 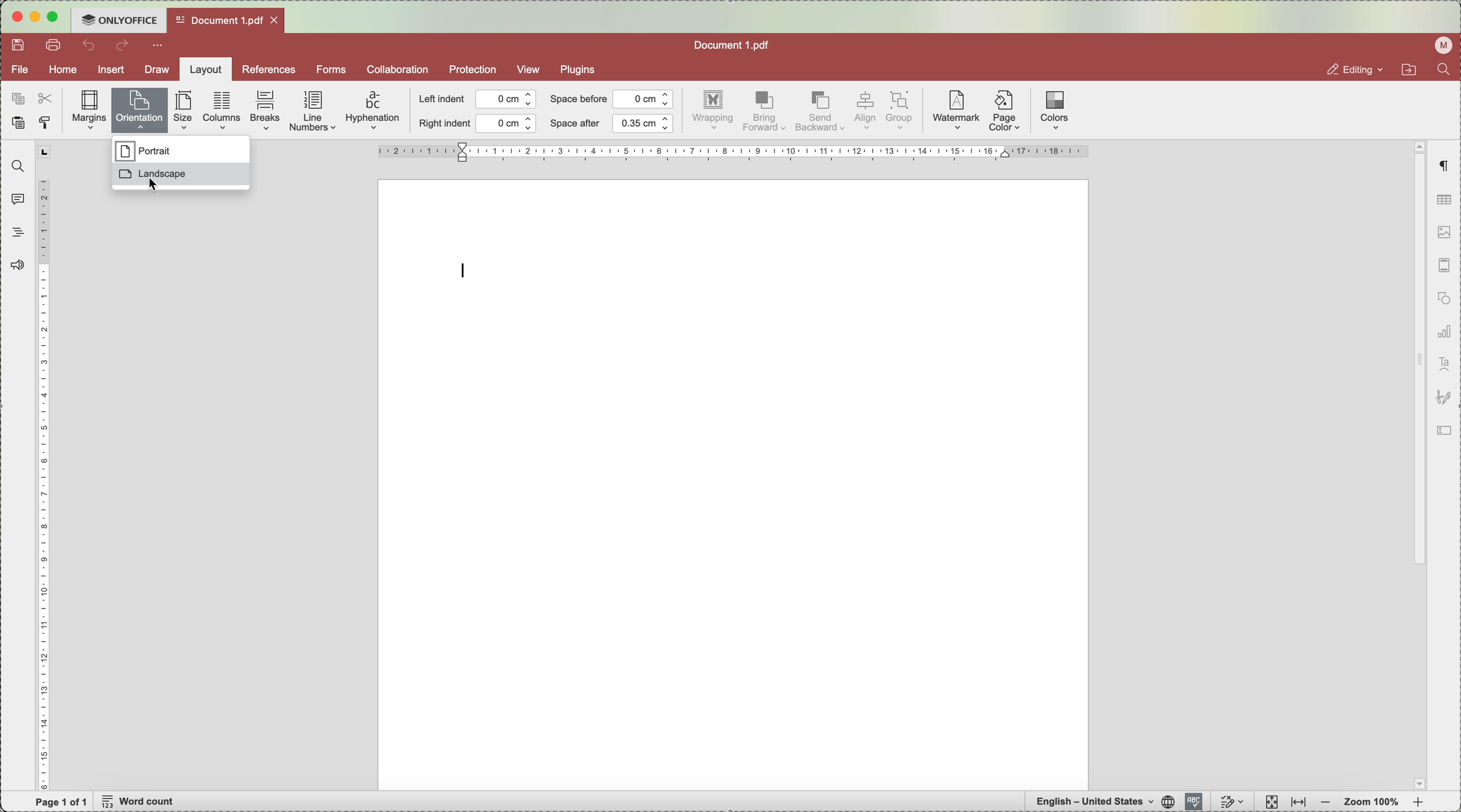 I want to click on right indent, so click(x=477, y=124).